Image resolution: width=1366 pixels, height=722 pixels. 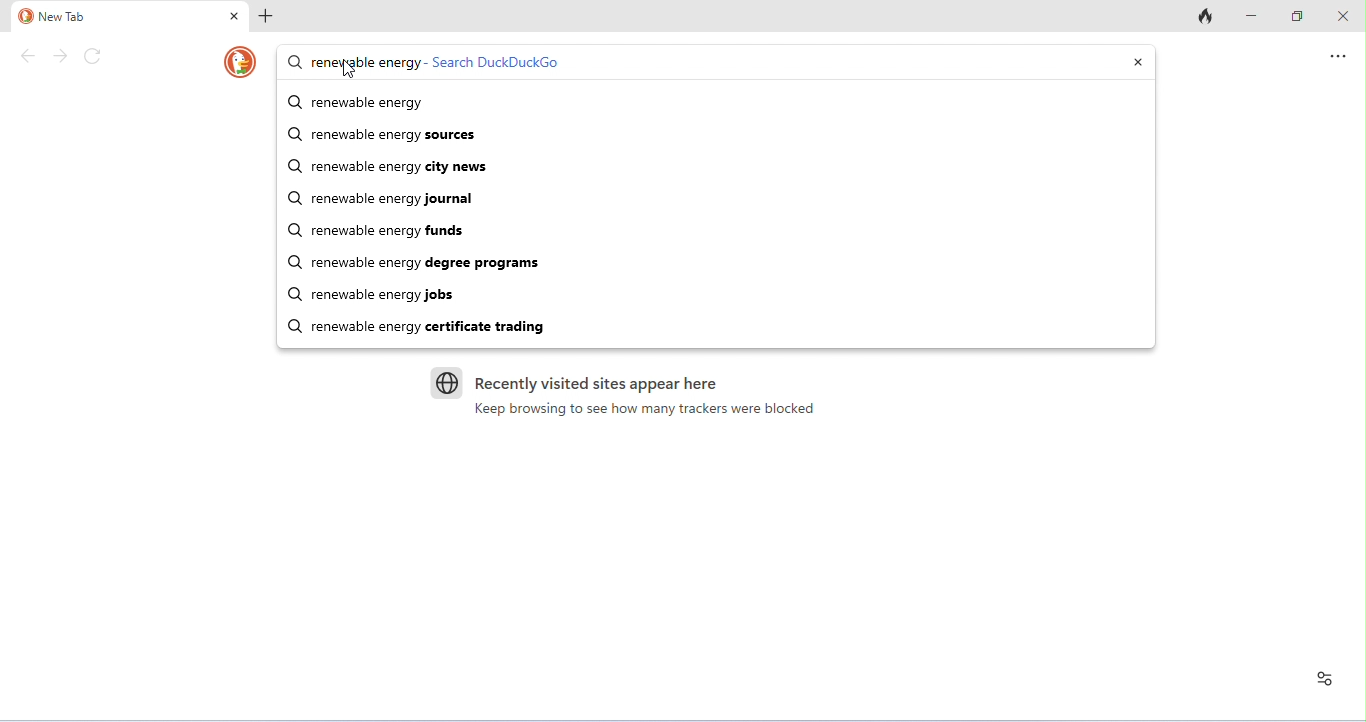 I want to click on minimize, so click(x=1252, y=15).